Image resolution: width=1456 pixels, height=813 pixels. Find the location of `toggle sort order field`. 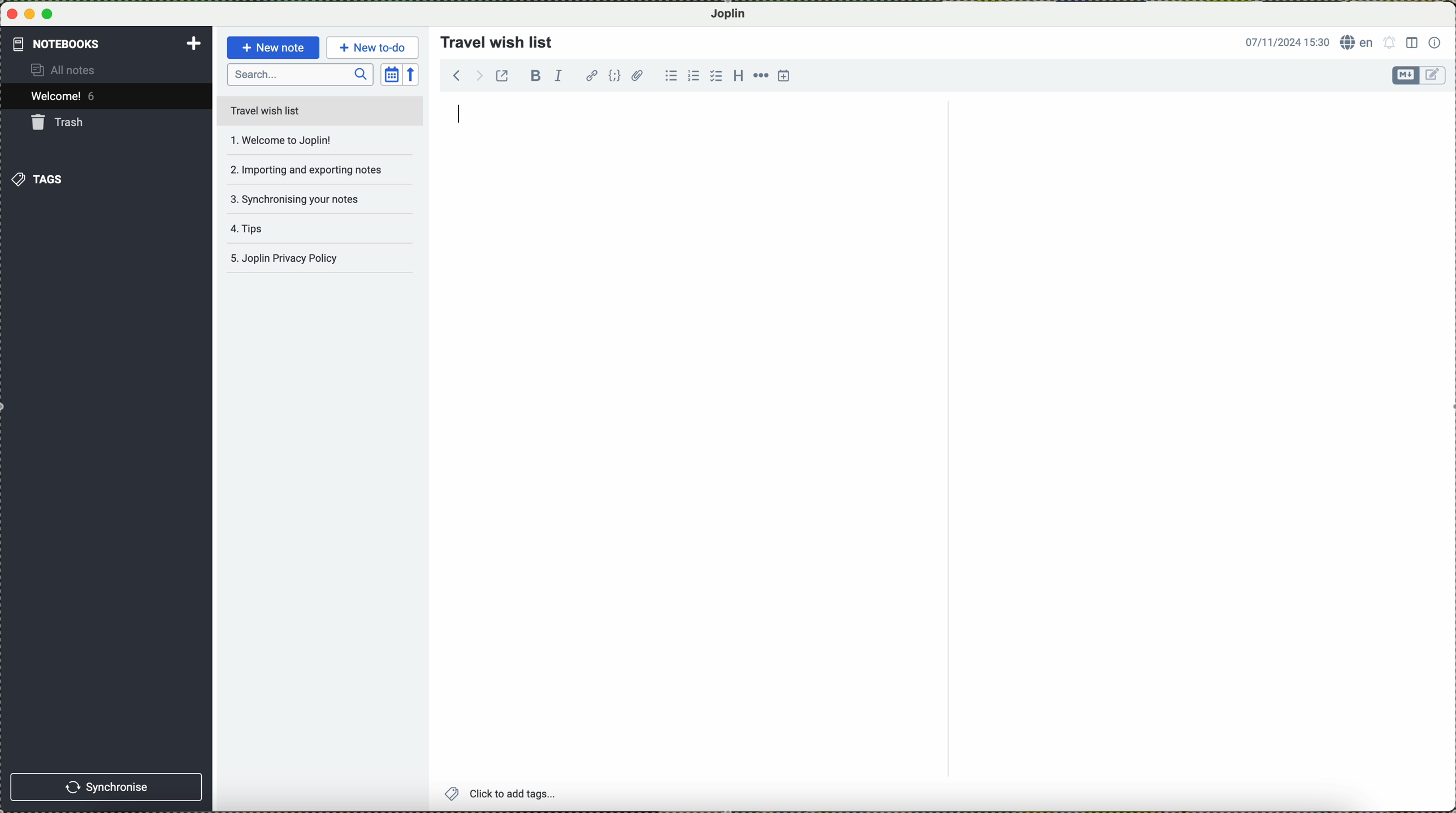

toggle sort order field is located at coordinates (391, 73).